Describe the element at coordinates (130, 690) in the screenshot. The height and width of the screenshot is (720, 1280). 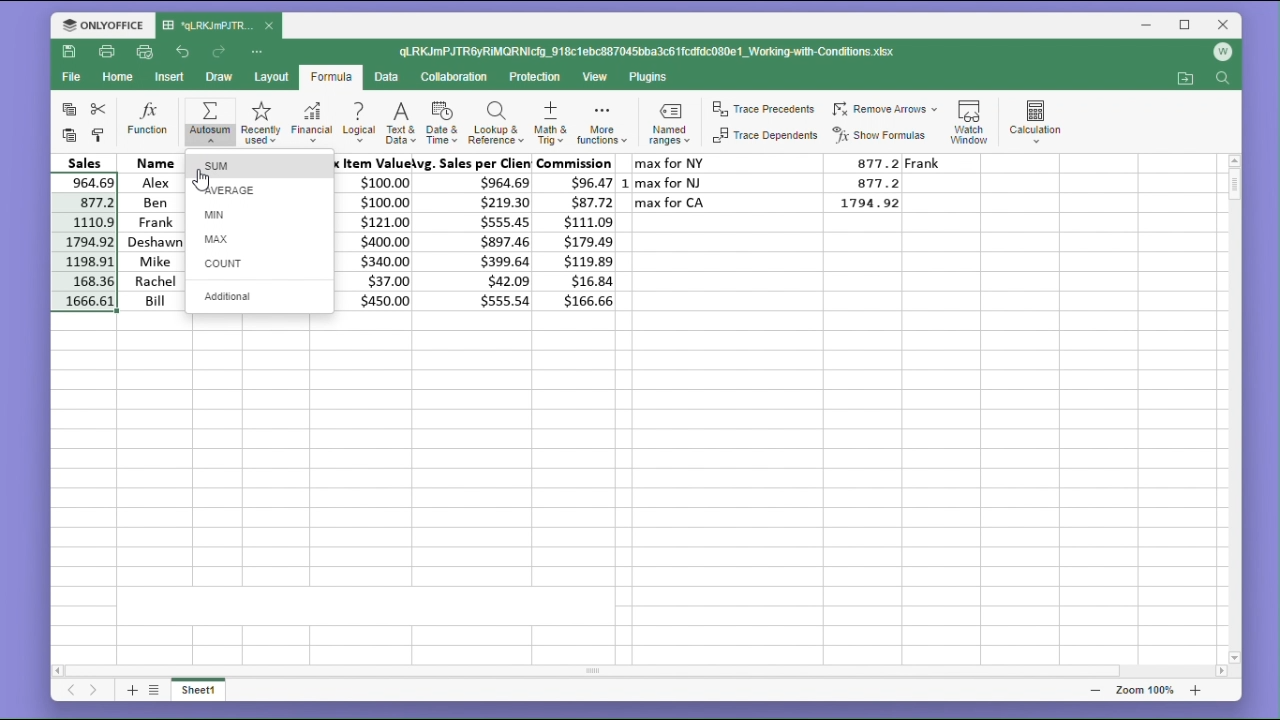
I see `add sheet` at that location.